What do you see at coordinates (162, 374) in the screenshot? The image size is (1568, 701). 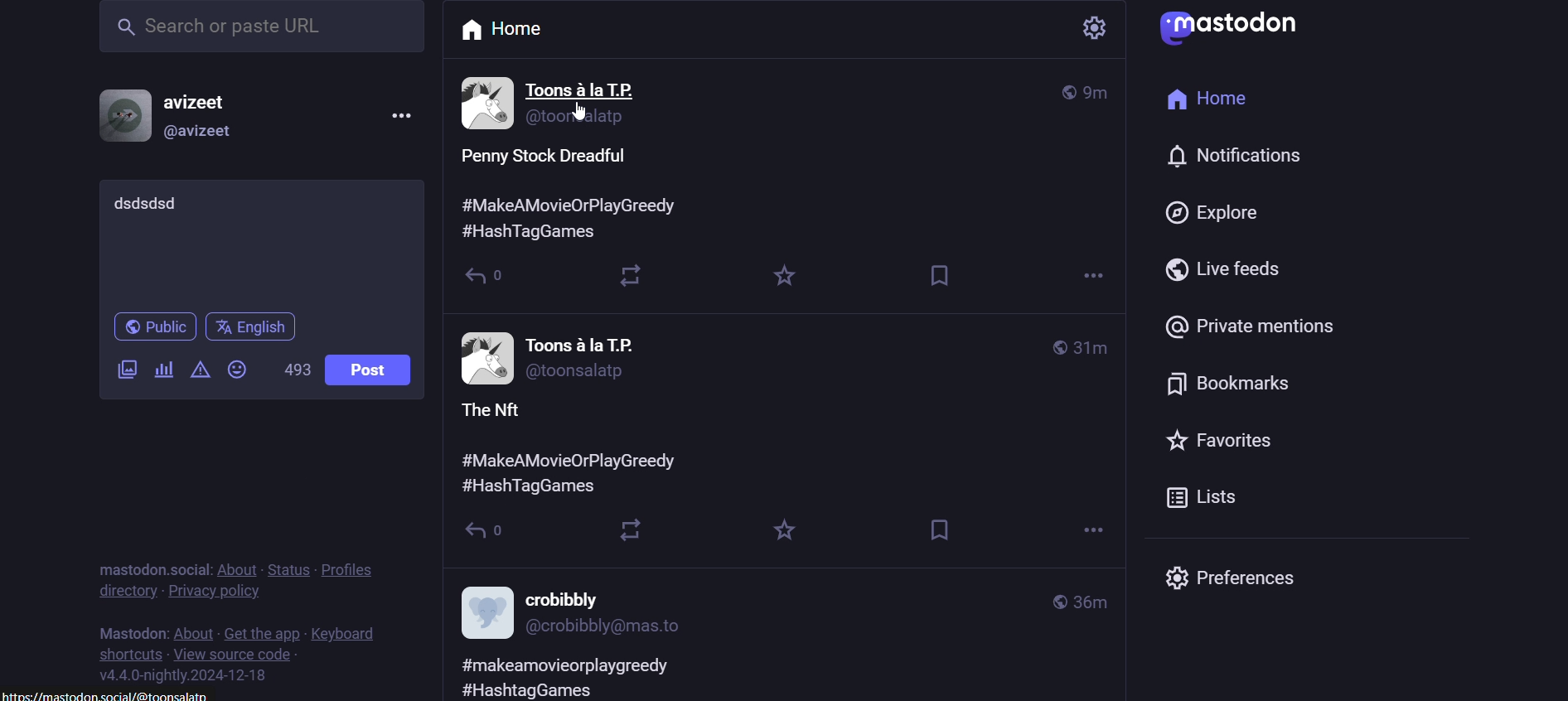 I see `add a poll` at bounding box center [162, 374].